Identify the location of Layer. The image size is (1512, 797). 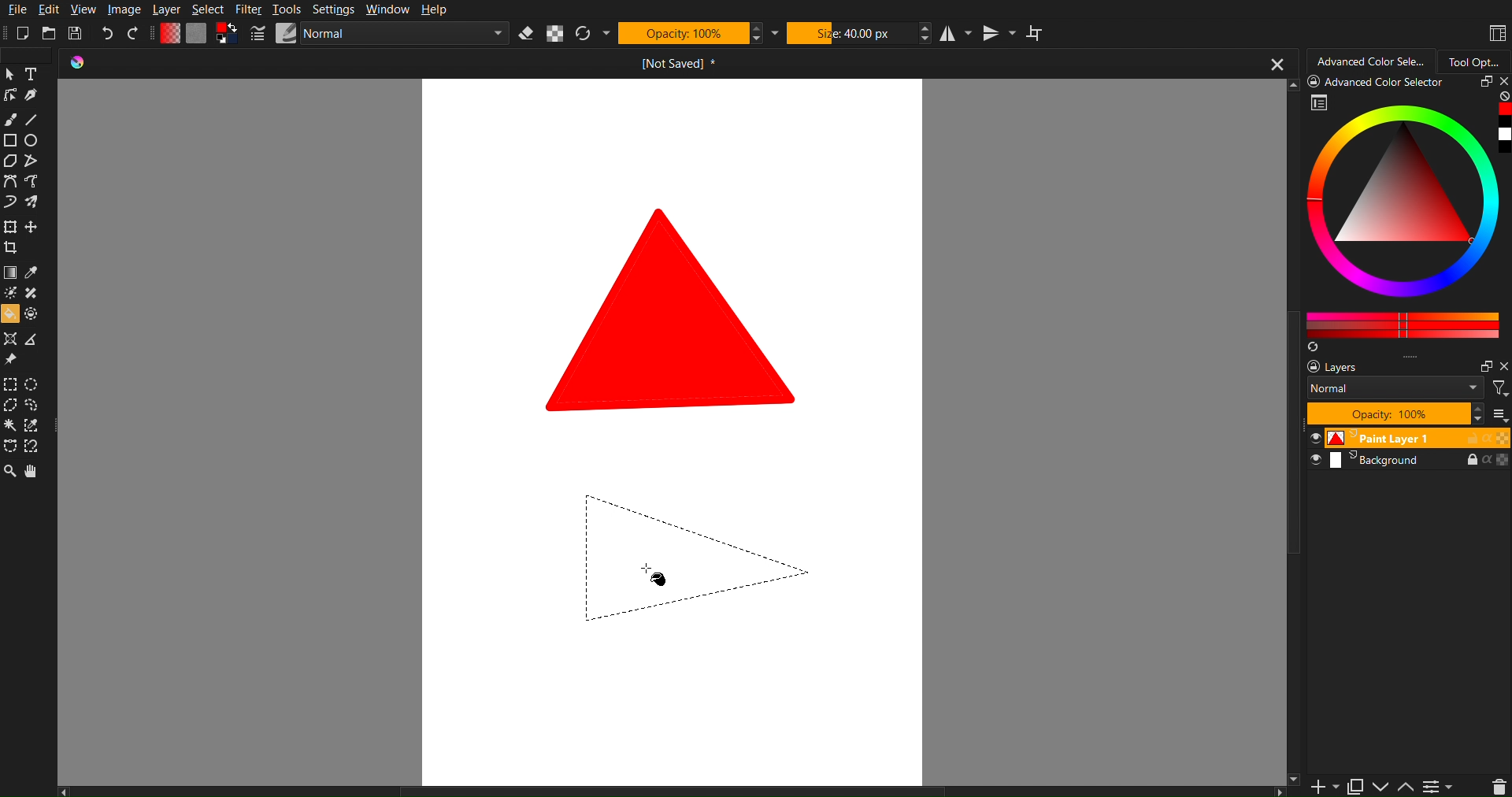
(170, 10).